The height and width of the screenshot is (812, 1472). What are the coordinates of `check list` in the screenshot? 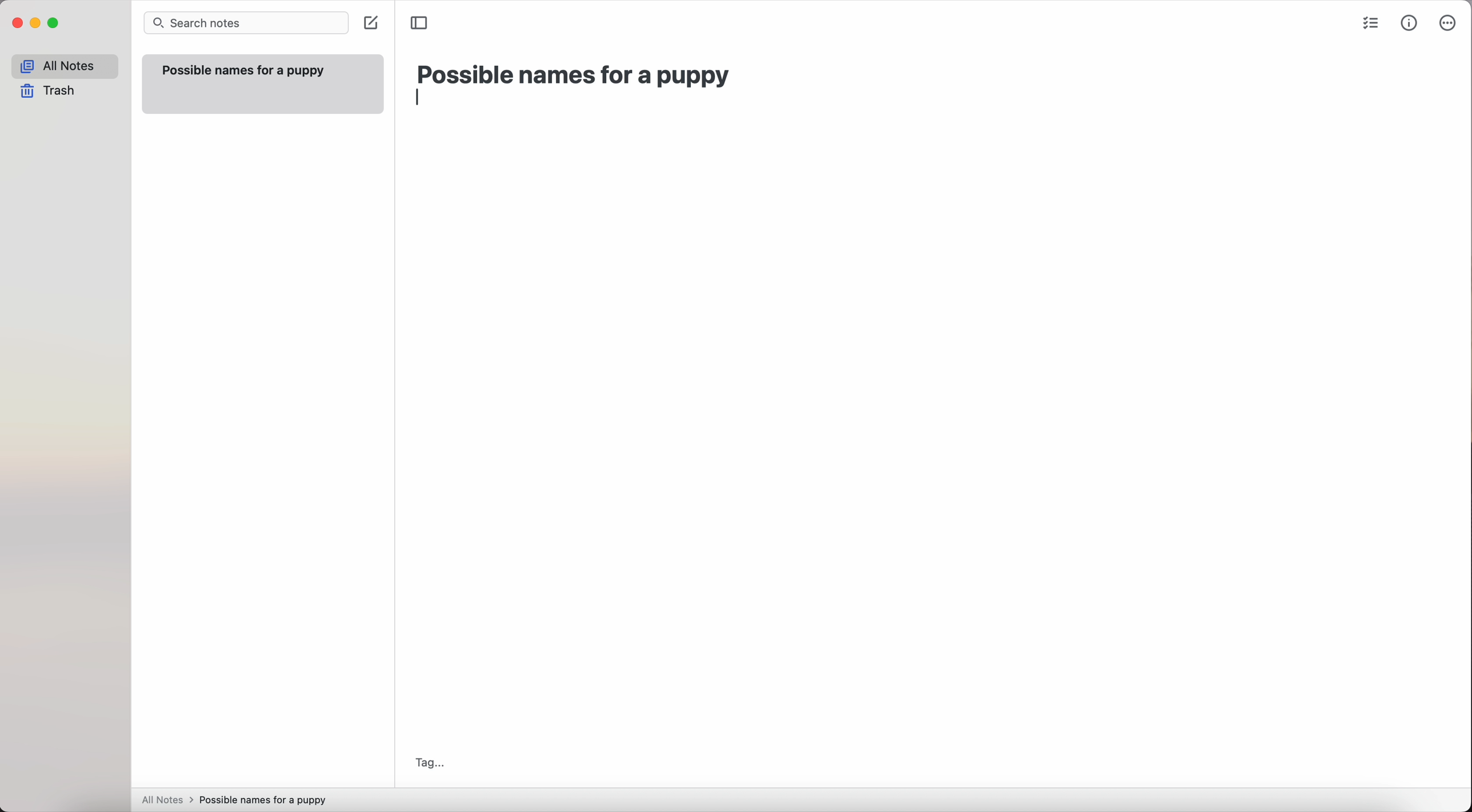 It's located at (1370, 25).